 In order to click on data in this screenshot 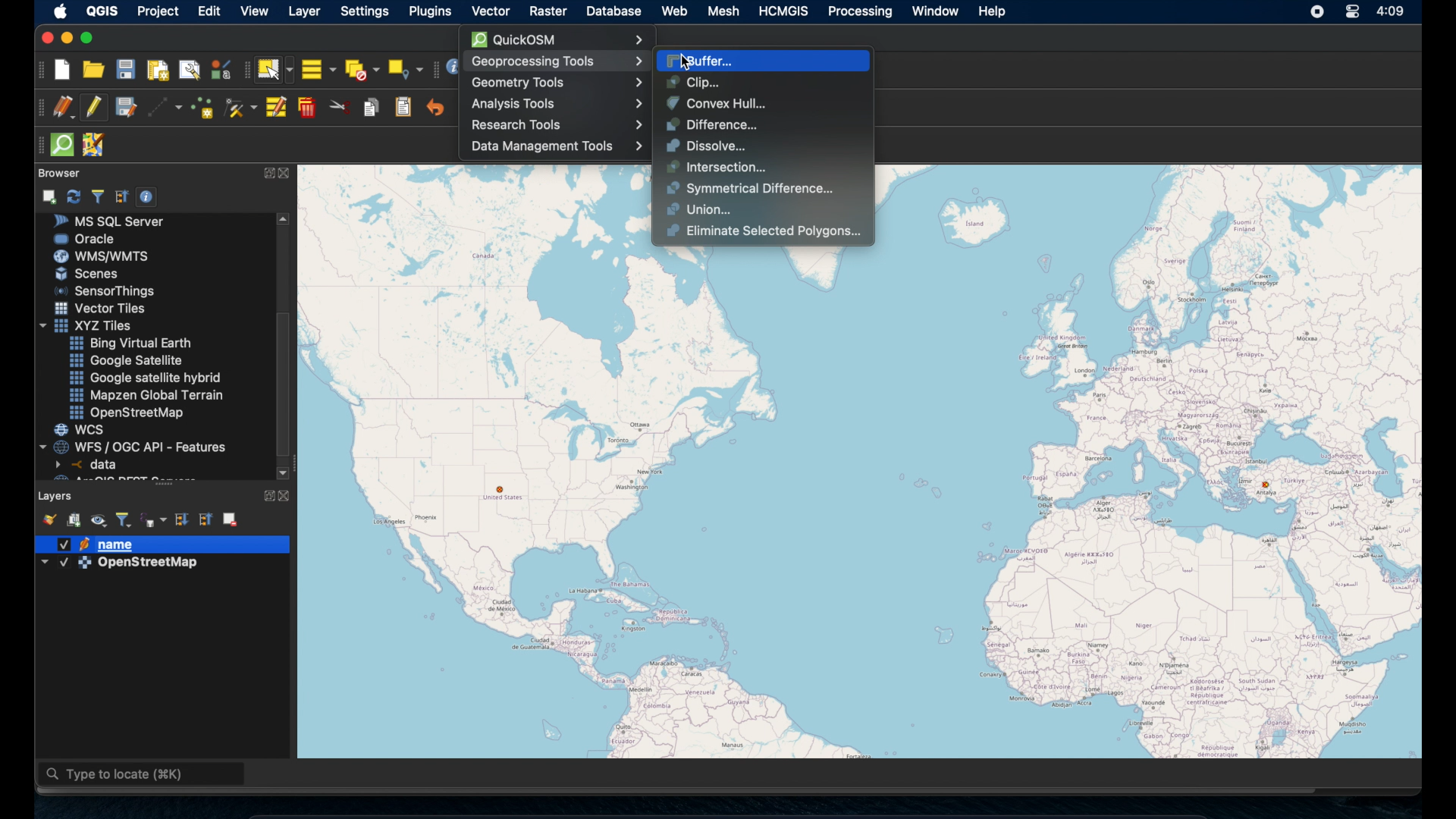, I will do `click(89, 464)`.